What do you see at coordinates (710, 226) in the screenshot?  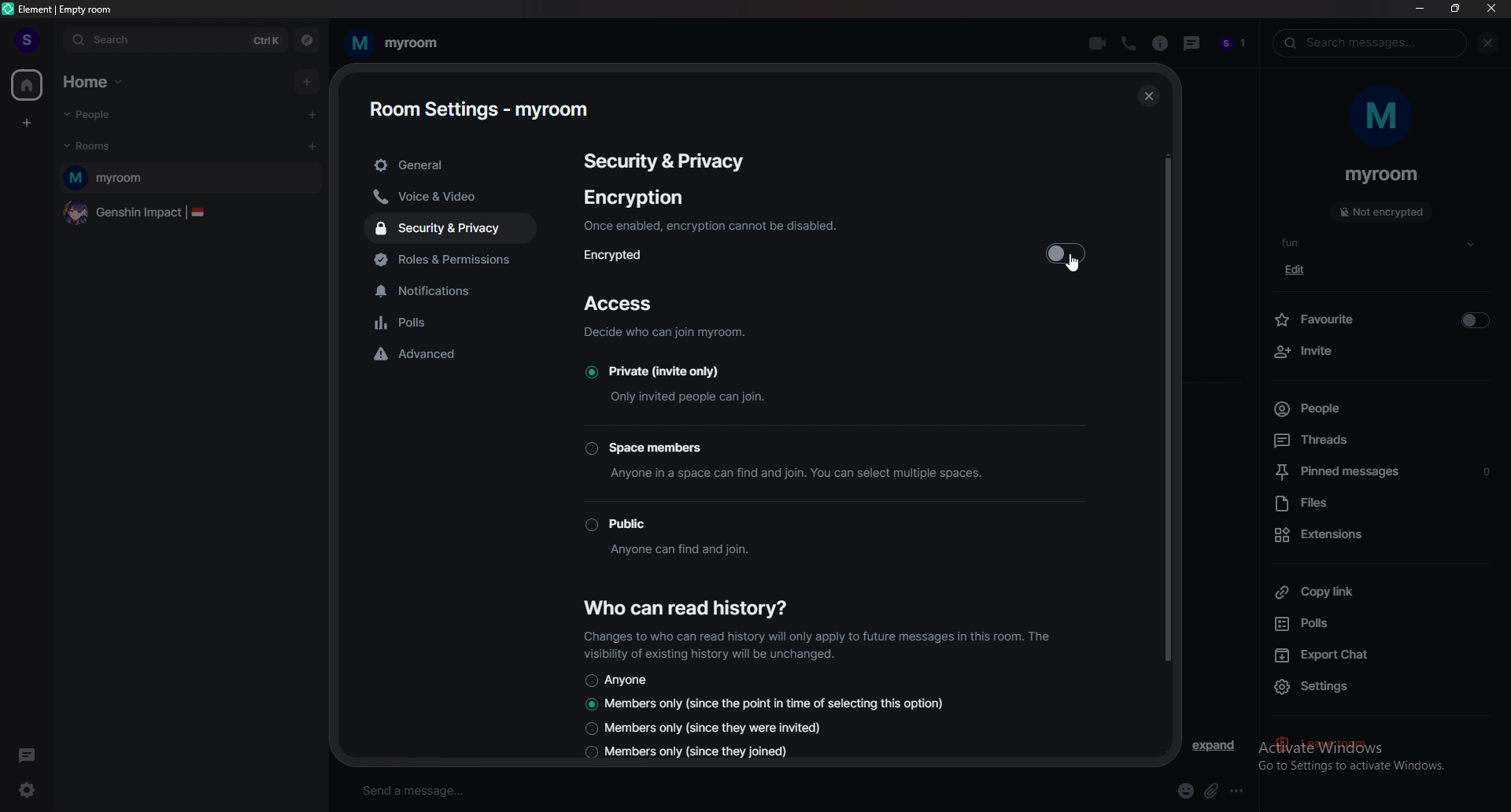 I see `Once enabled, encryption cannot be disabled.` at bounding box center [710, 226].